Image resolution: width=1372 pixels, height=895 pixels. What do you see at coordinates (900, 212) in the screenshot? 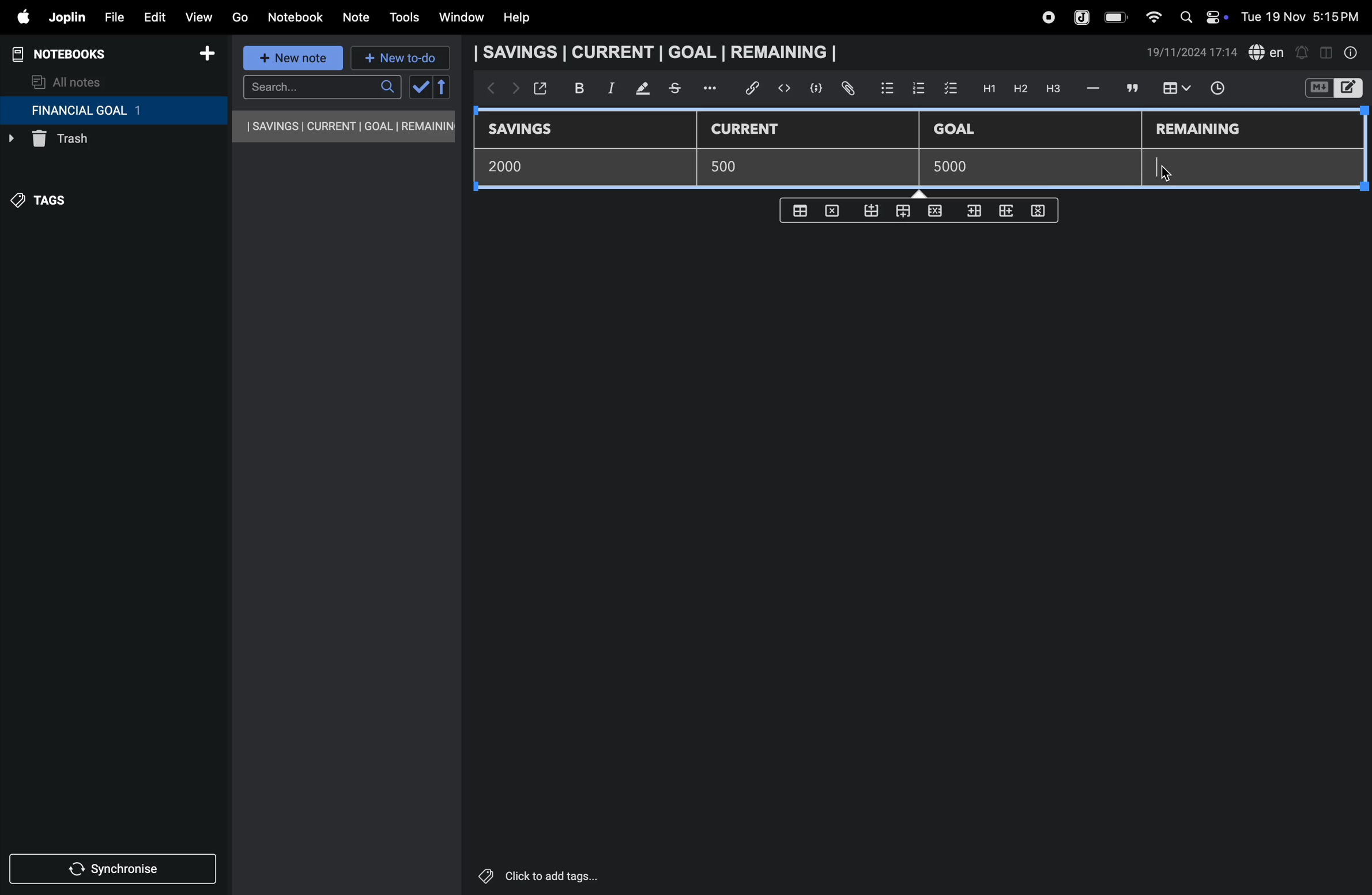
I see `from top` at bounding box center [900, 212].